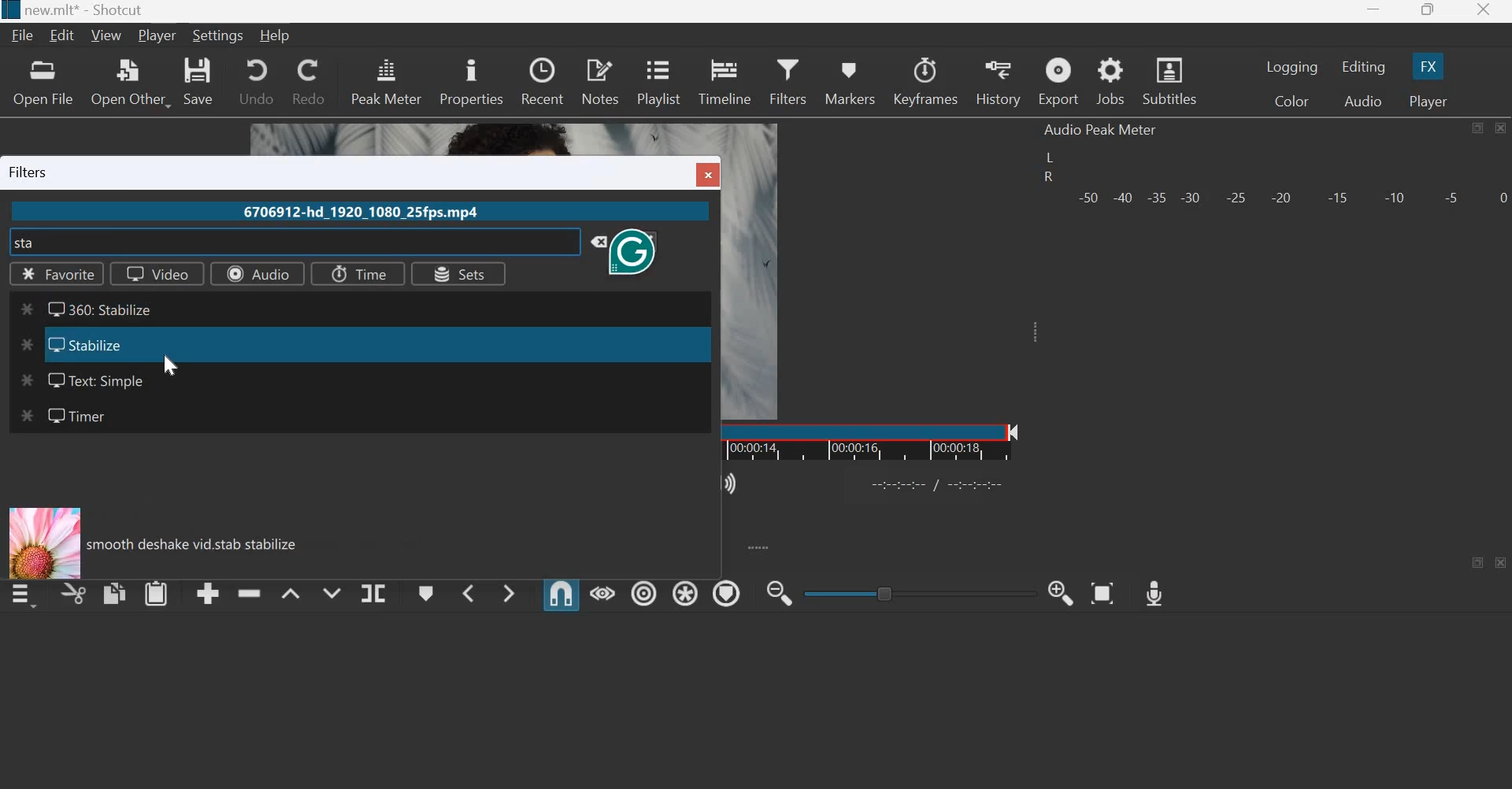 This screenshot has width=1512, height=789. I want to click on new.mlt* - Shotcut, so click(83, 11).